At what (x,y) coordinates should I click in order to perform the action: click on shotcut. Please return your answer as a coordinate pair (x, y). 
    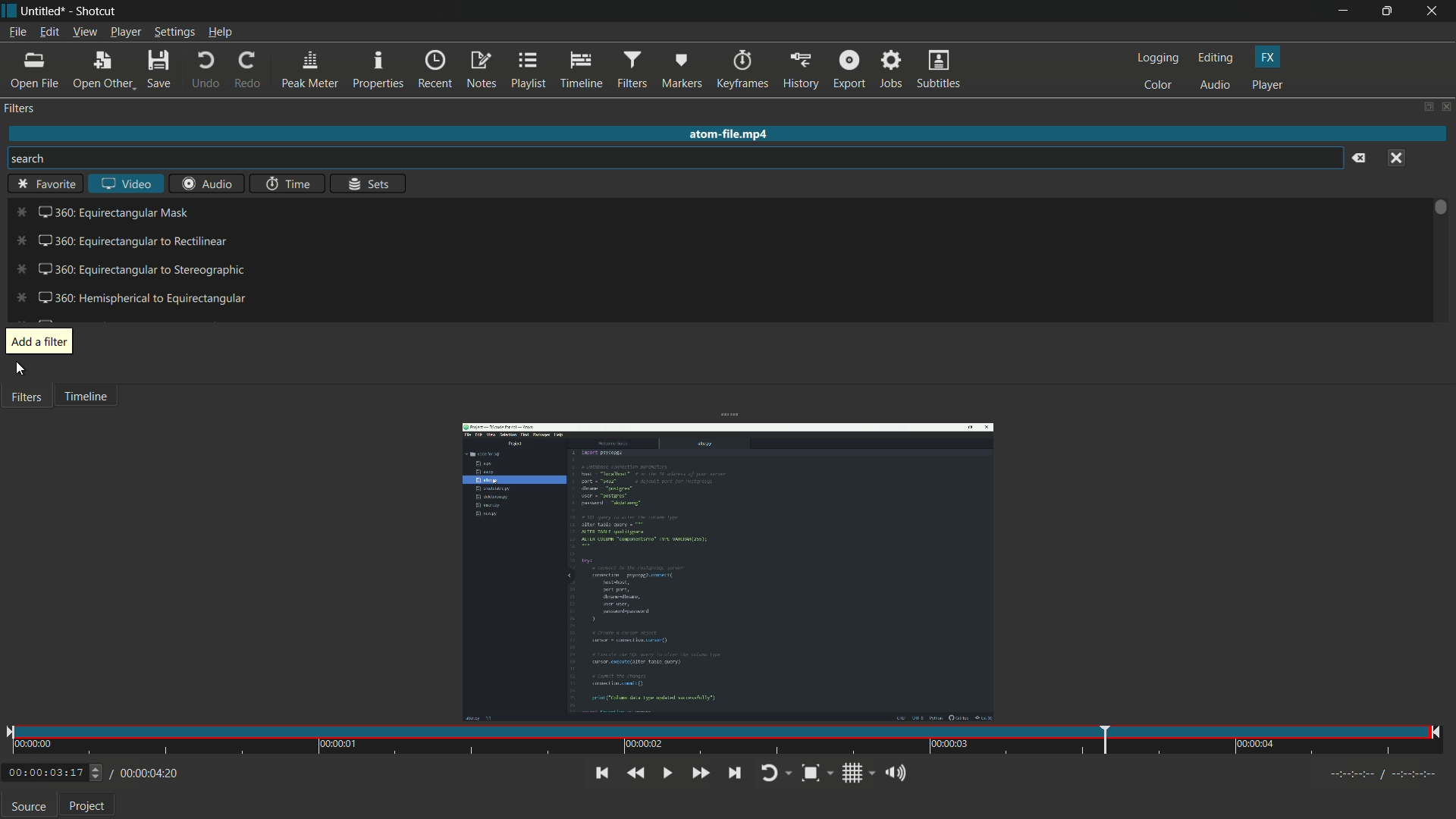
    Looking at the image, I should click on (95, 13).